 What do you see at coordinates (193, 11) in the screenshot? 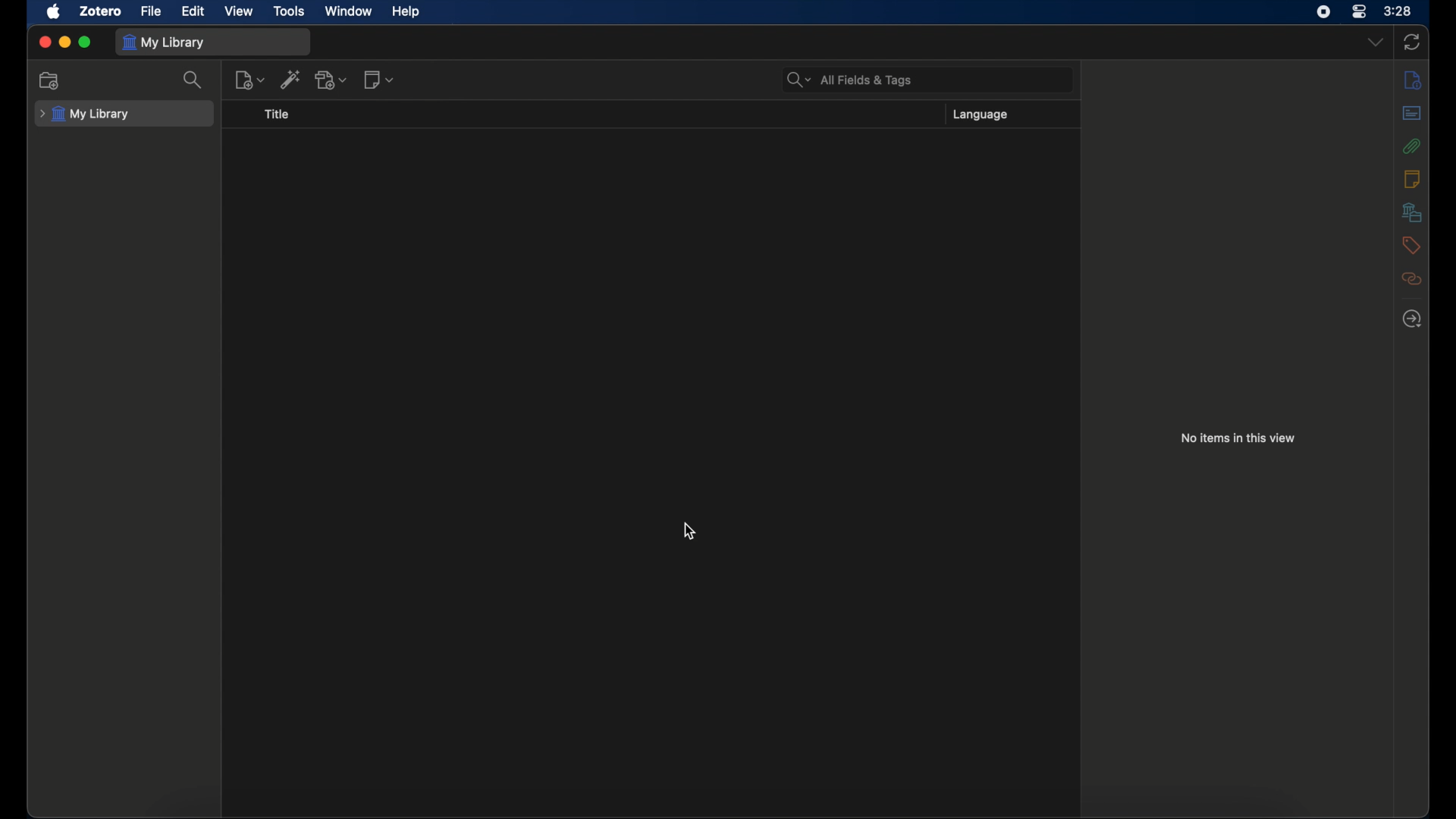
I see `edit` at bounding box center [193, 11].